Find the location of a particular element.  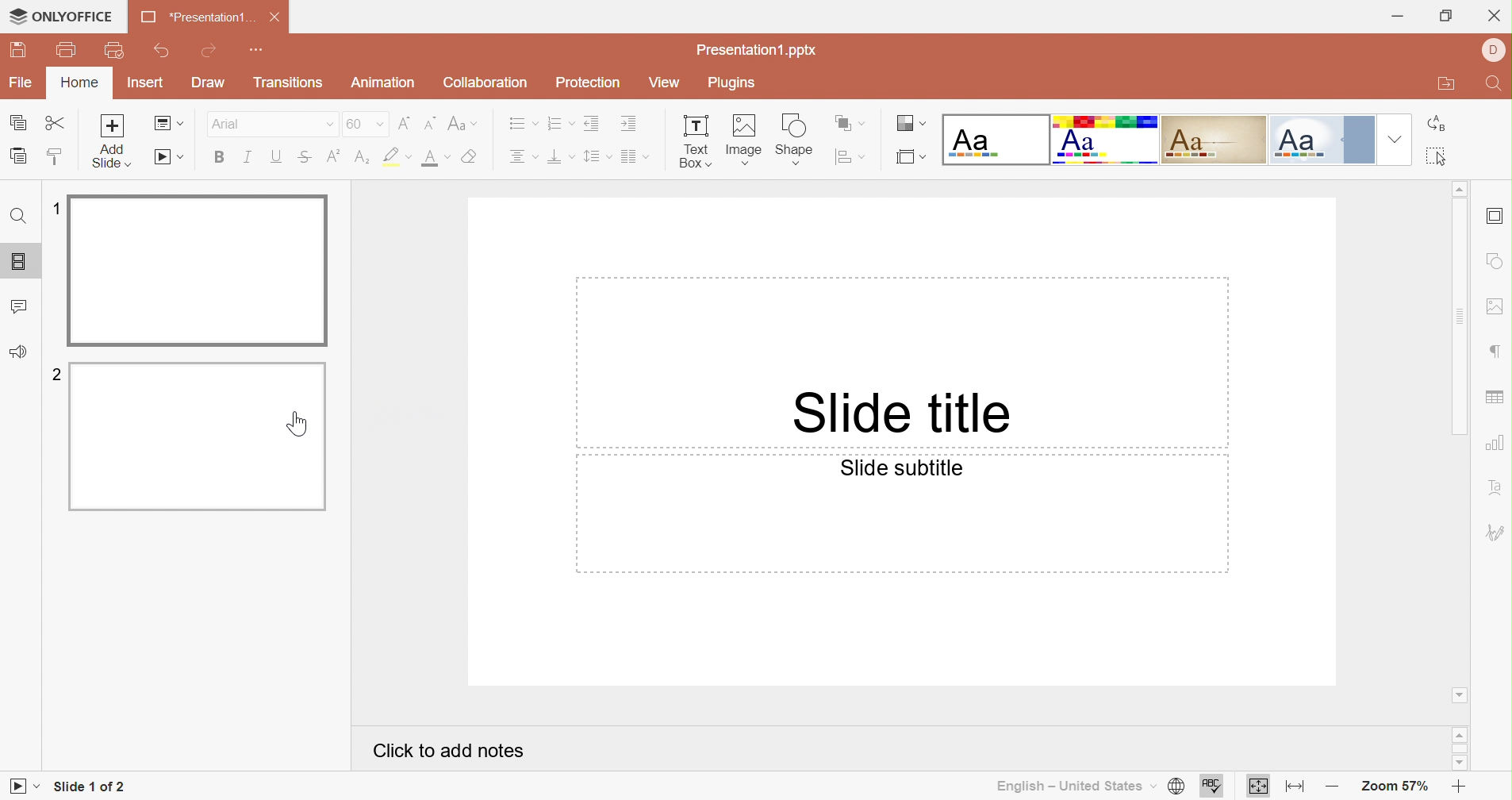

Paste is located at coordinates (18, 157).